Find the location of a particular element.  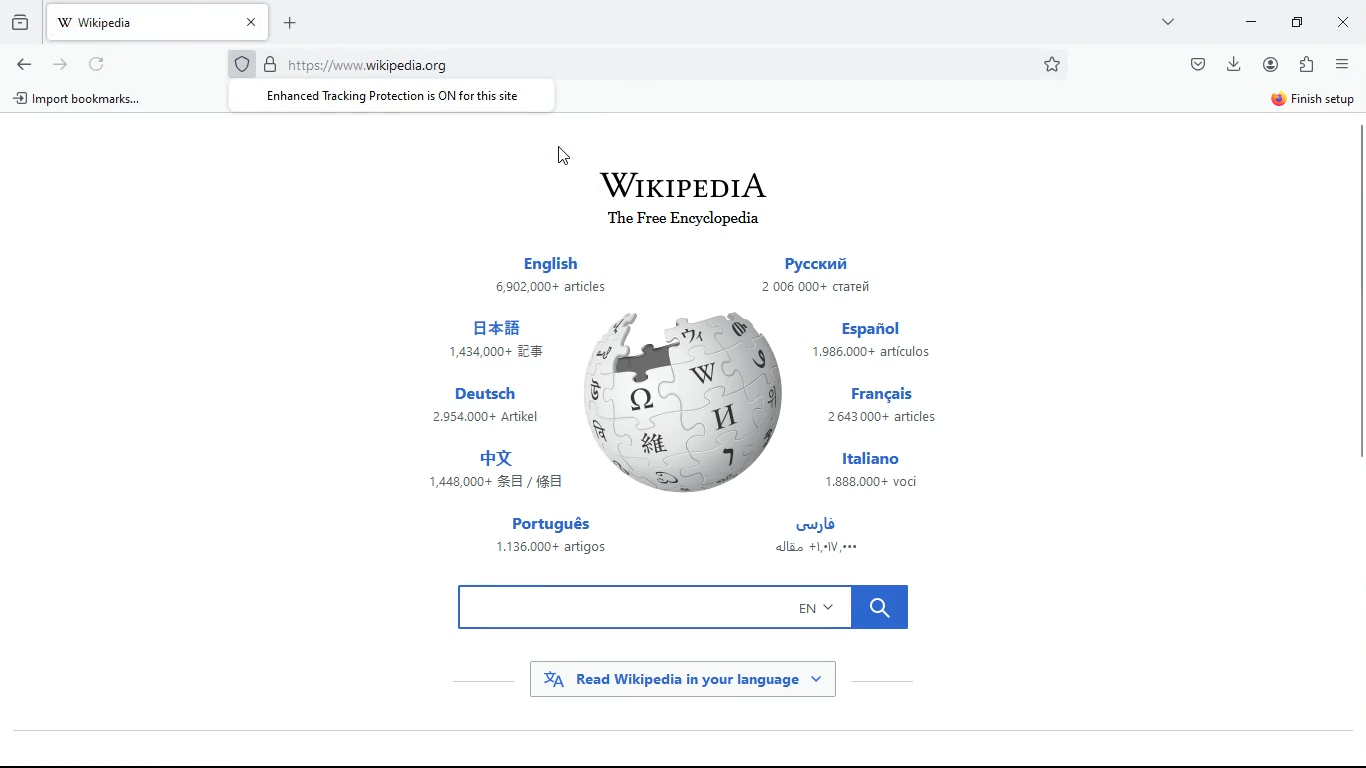

english is located at coordinates (550, 269).